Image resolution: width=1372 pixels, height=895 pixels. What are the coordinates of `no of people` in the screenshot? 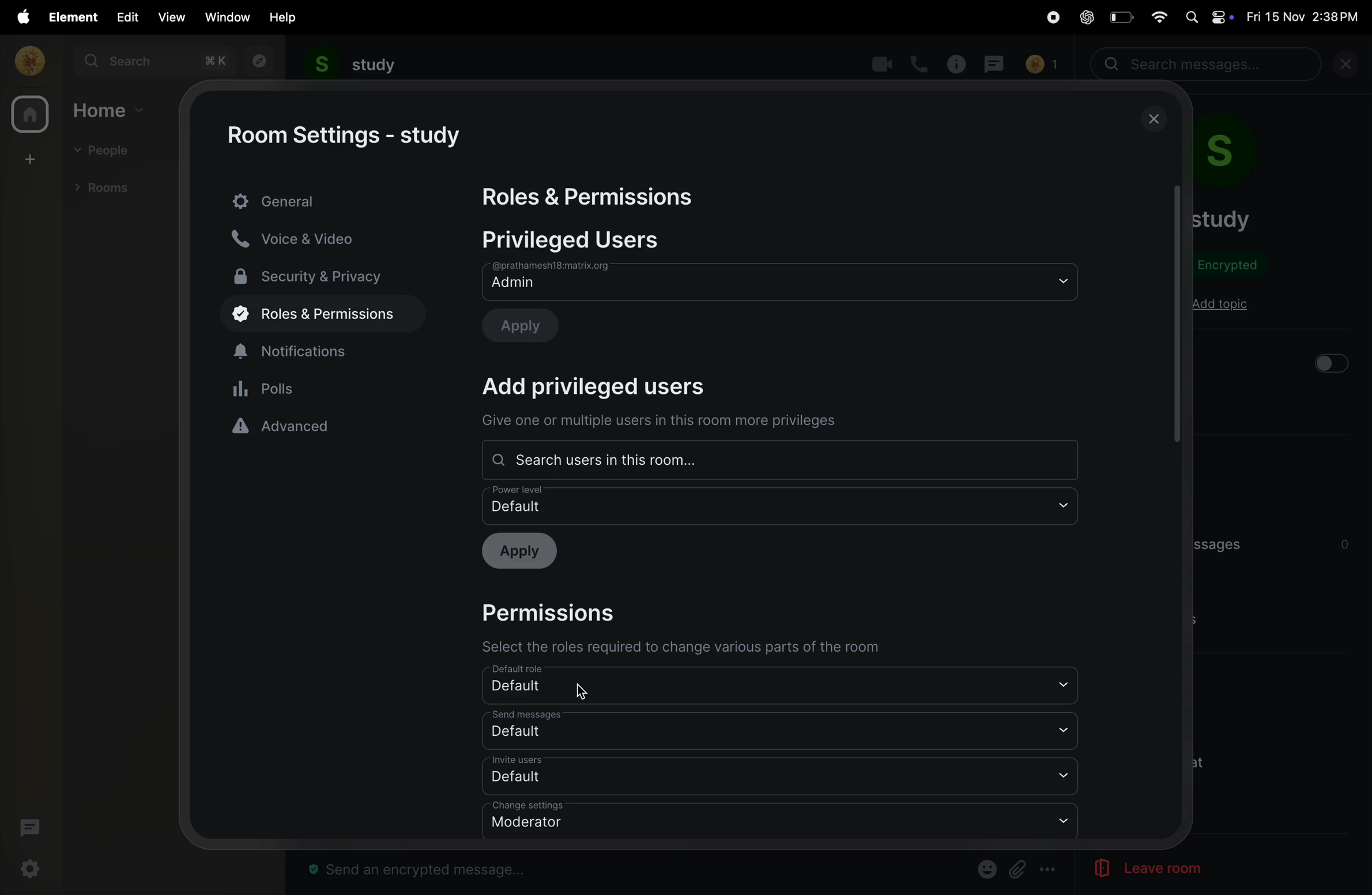 It's located at (1041, 65).